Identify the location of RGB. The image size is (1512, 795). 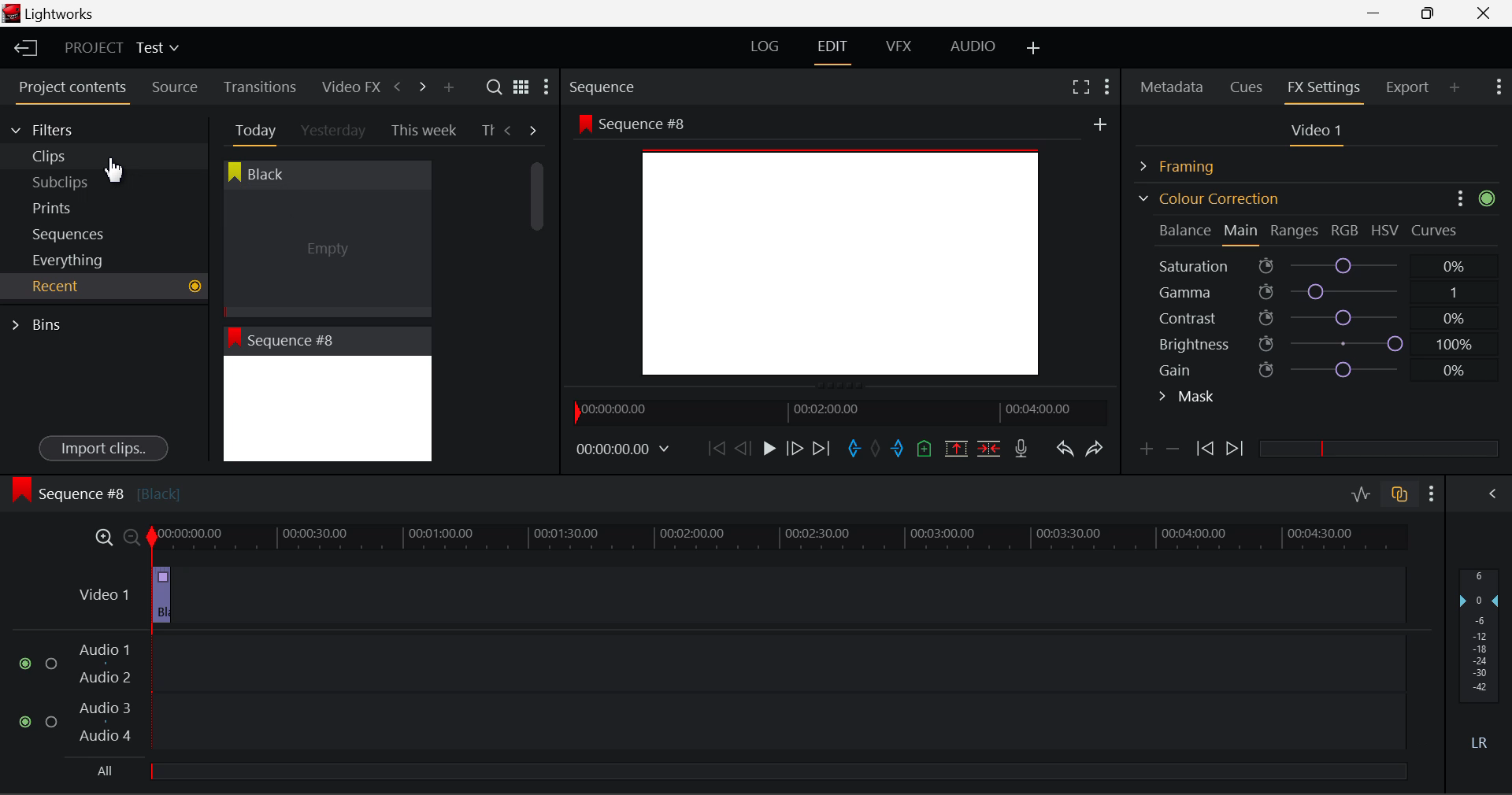
(1346, 231).